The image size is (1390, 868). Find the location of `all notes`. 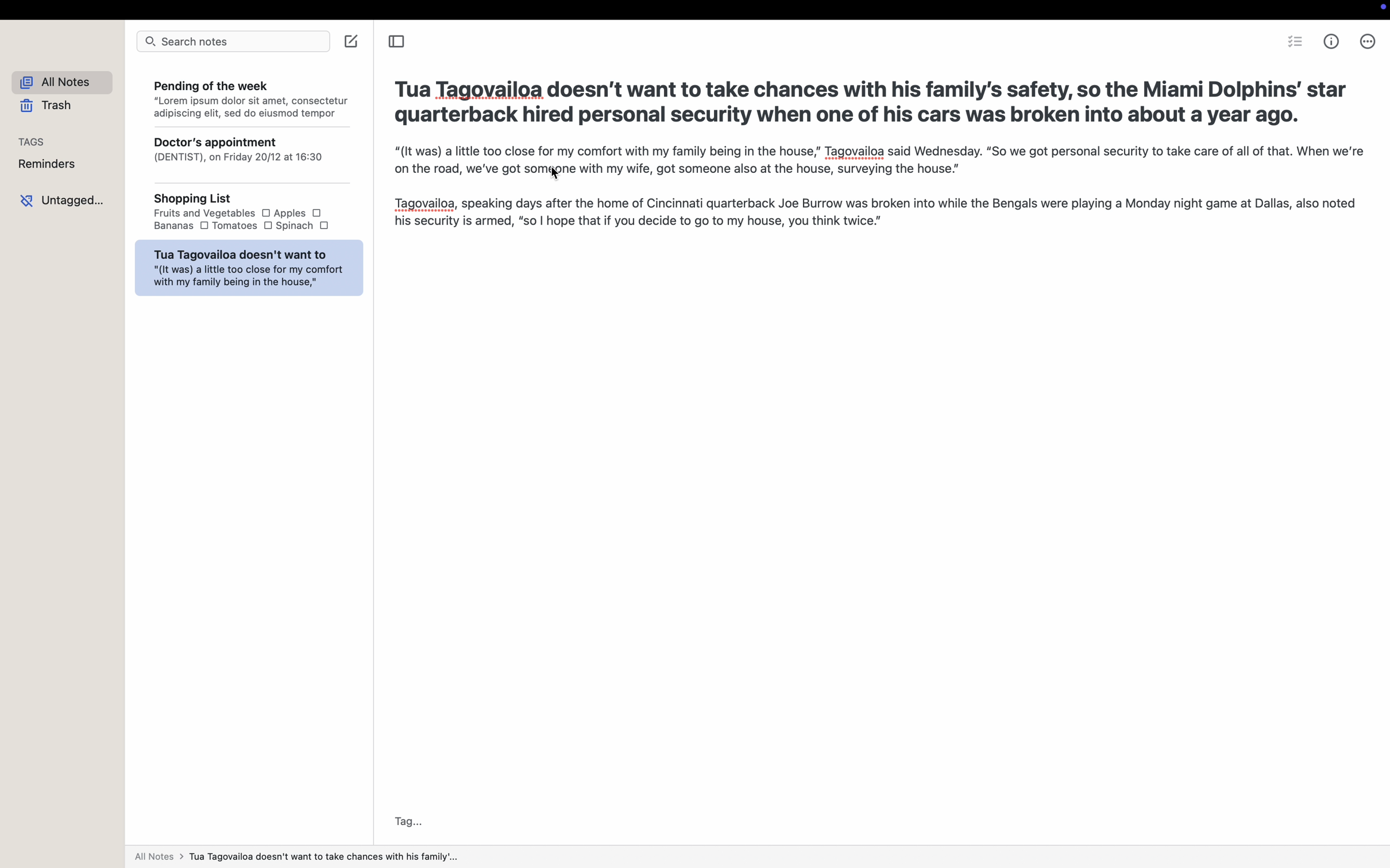

all notes is located at coordinates (56, 80).